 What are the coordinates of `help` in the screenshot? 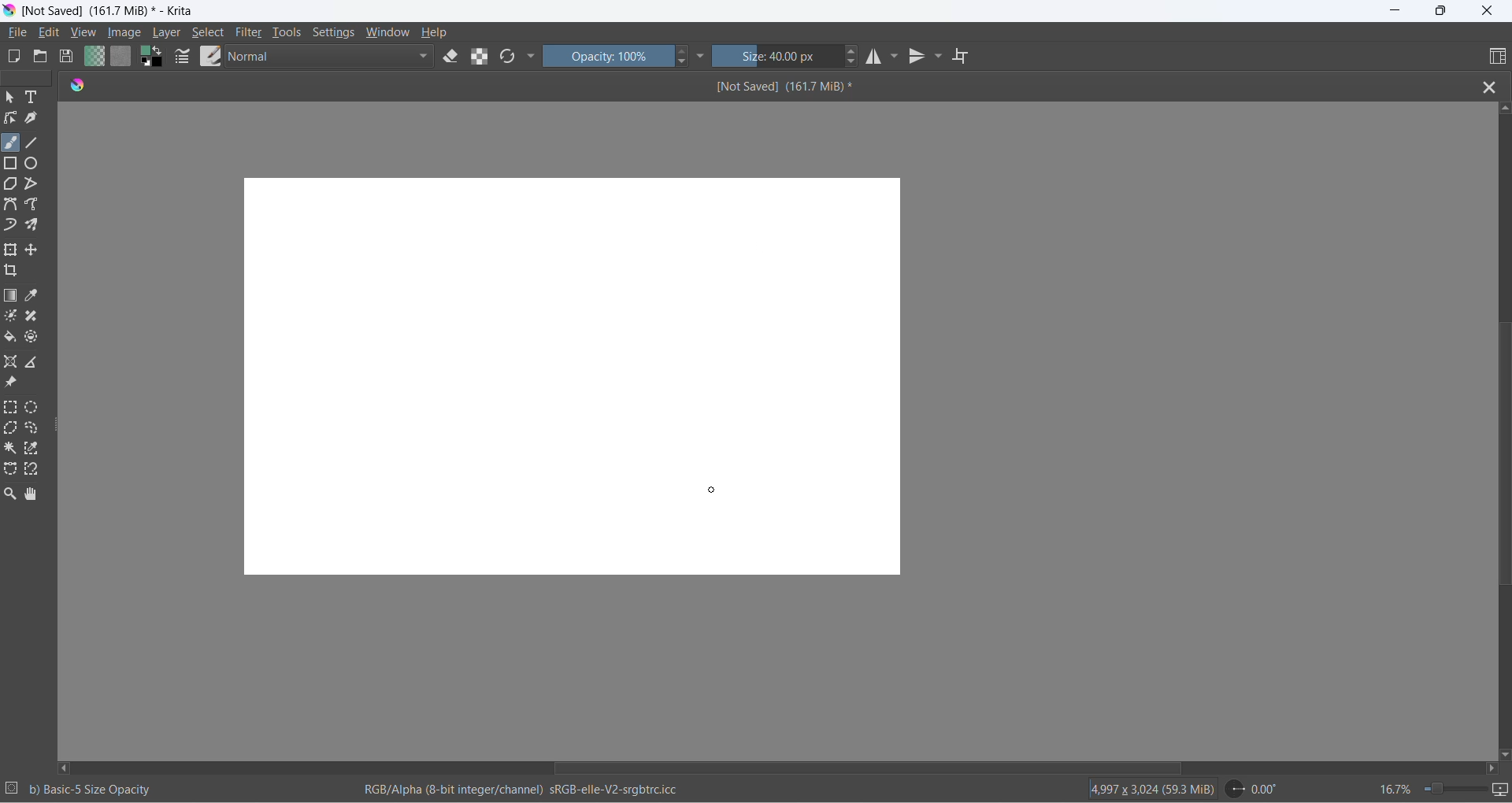 It's located at (435, 32).